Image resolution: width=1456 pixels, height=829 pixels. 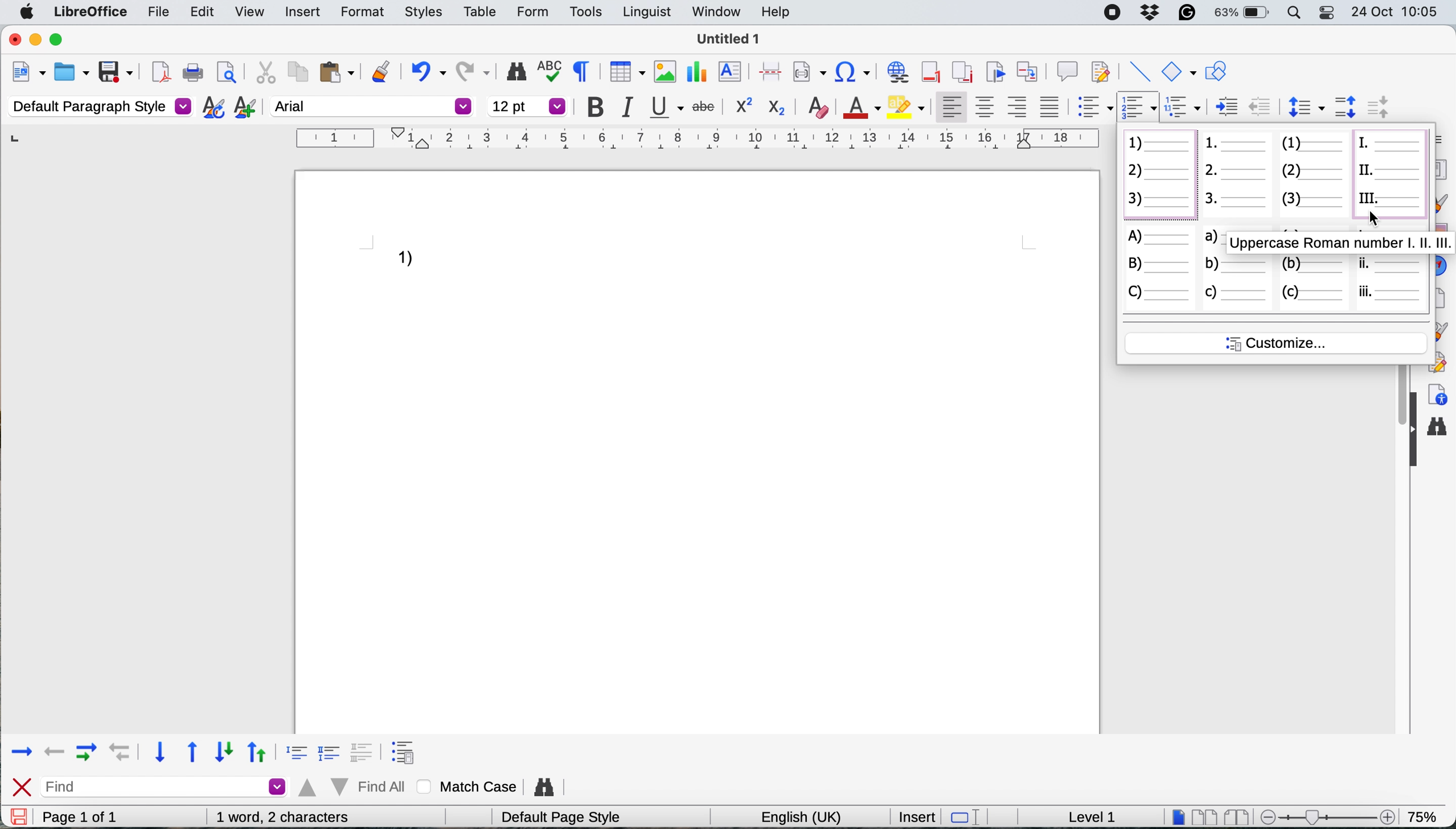 I want to click on toggle unordered list, so click(x=1096, y=109).